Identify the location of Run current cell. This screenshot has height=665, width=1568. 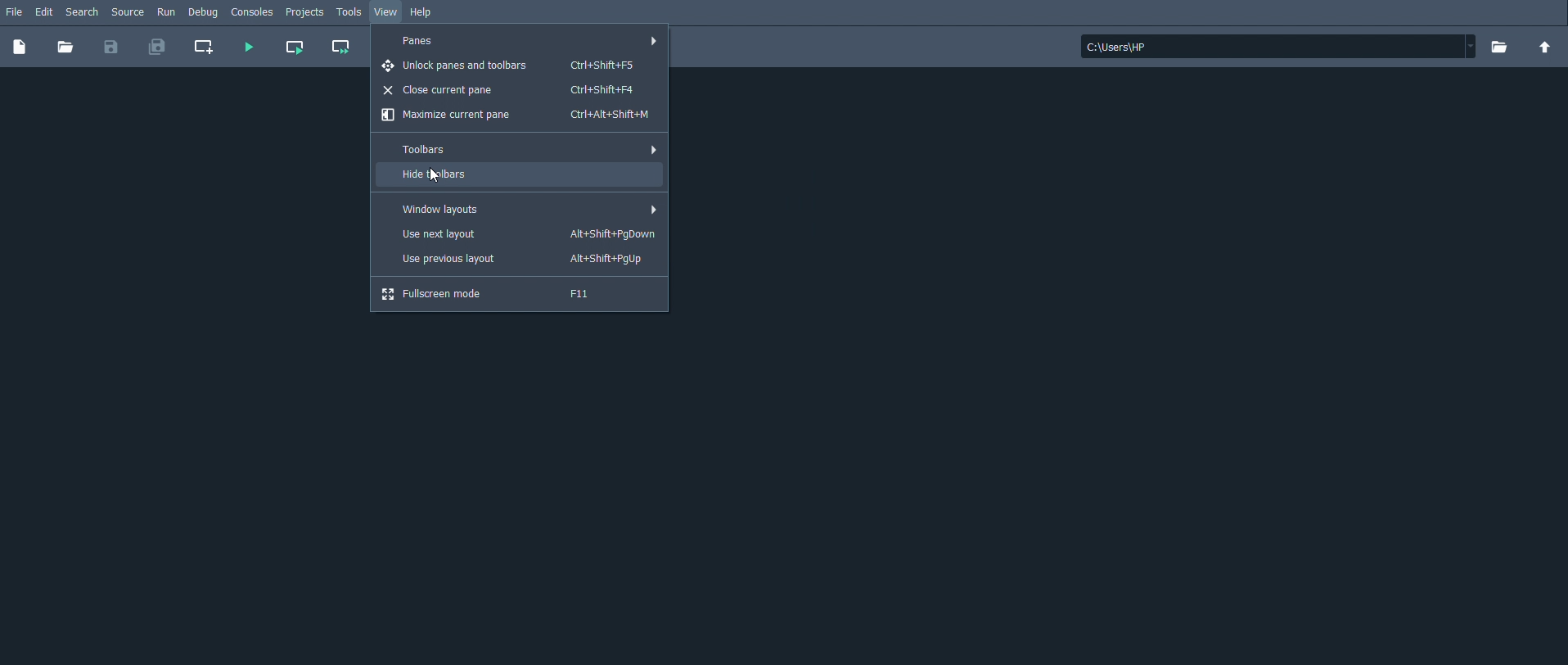
(296, 47).